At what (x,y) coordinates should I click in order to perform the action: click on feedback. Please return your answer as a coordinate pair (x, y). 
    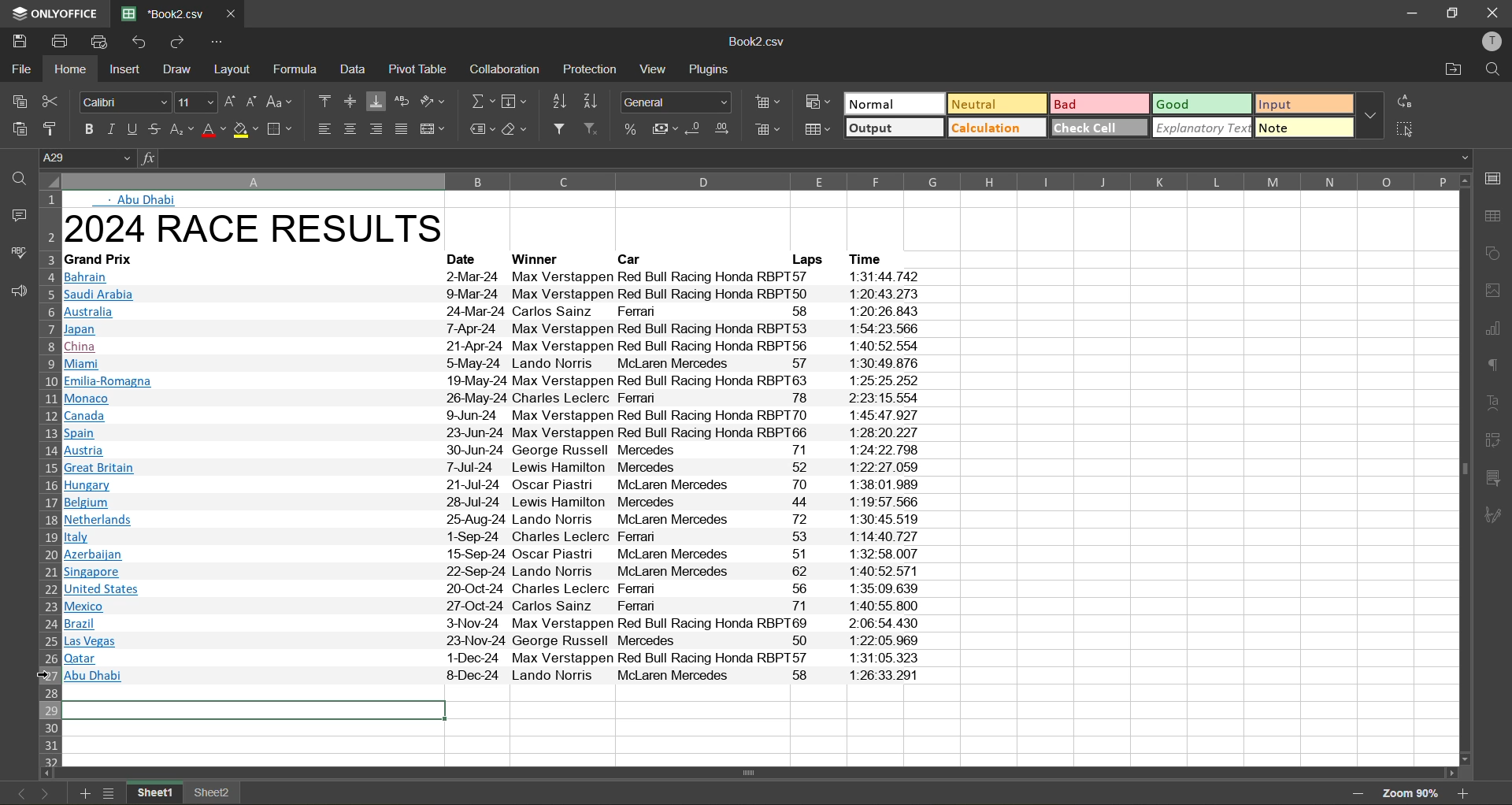
    Looking at the image, I should click on (16, 294).